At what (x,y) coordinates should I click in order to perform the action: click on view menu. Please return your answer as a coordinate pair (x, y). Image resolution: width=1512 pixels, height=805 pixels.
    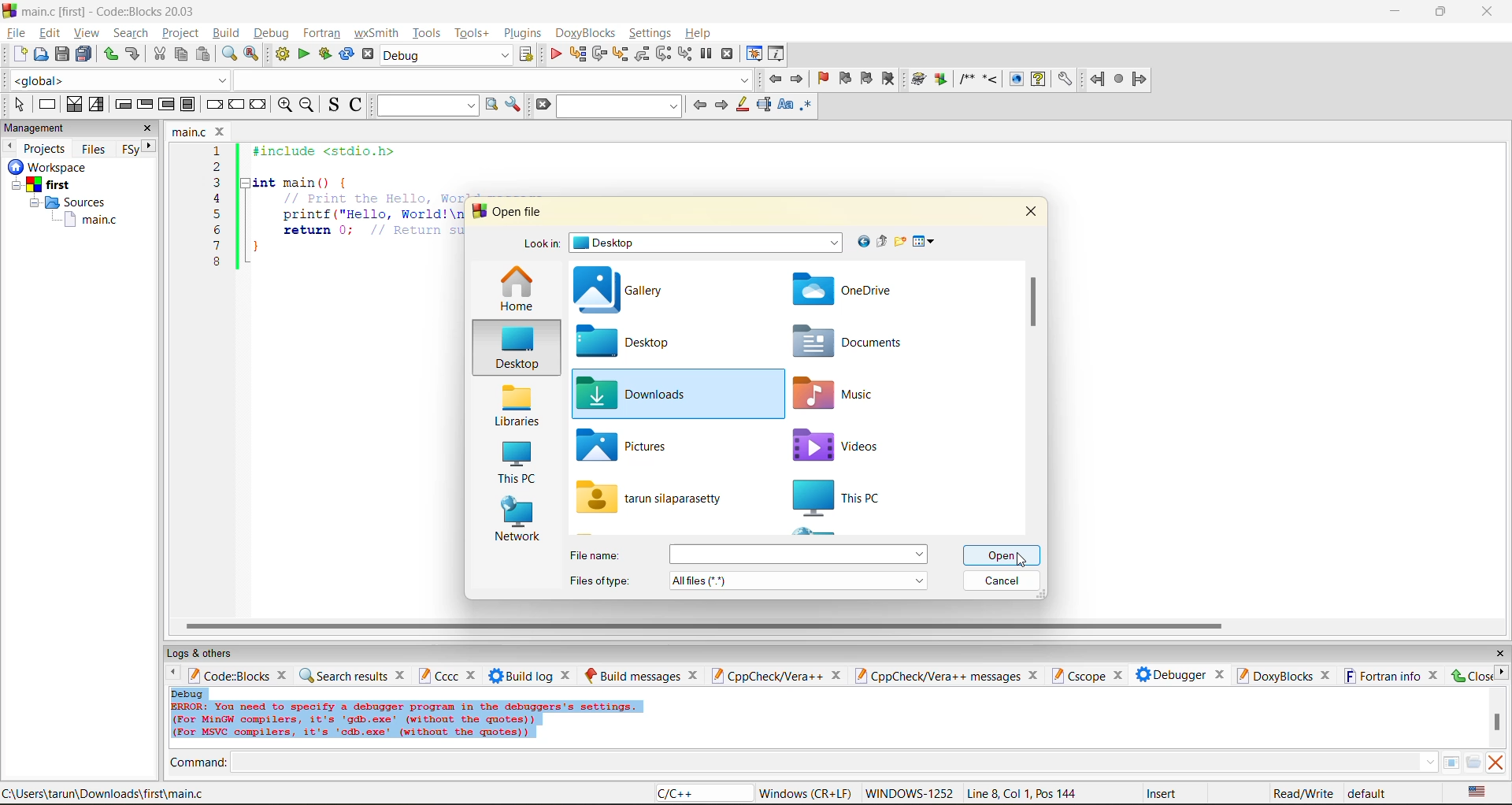
    Looking at the image, I should click on (926, 242).